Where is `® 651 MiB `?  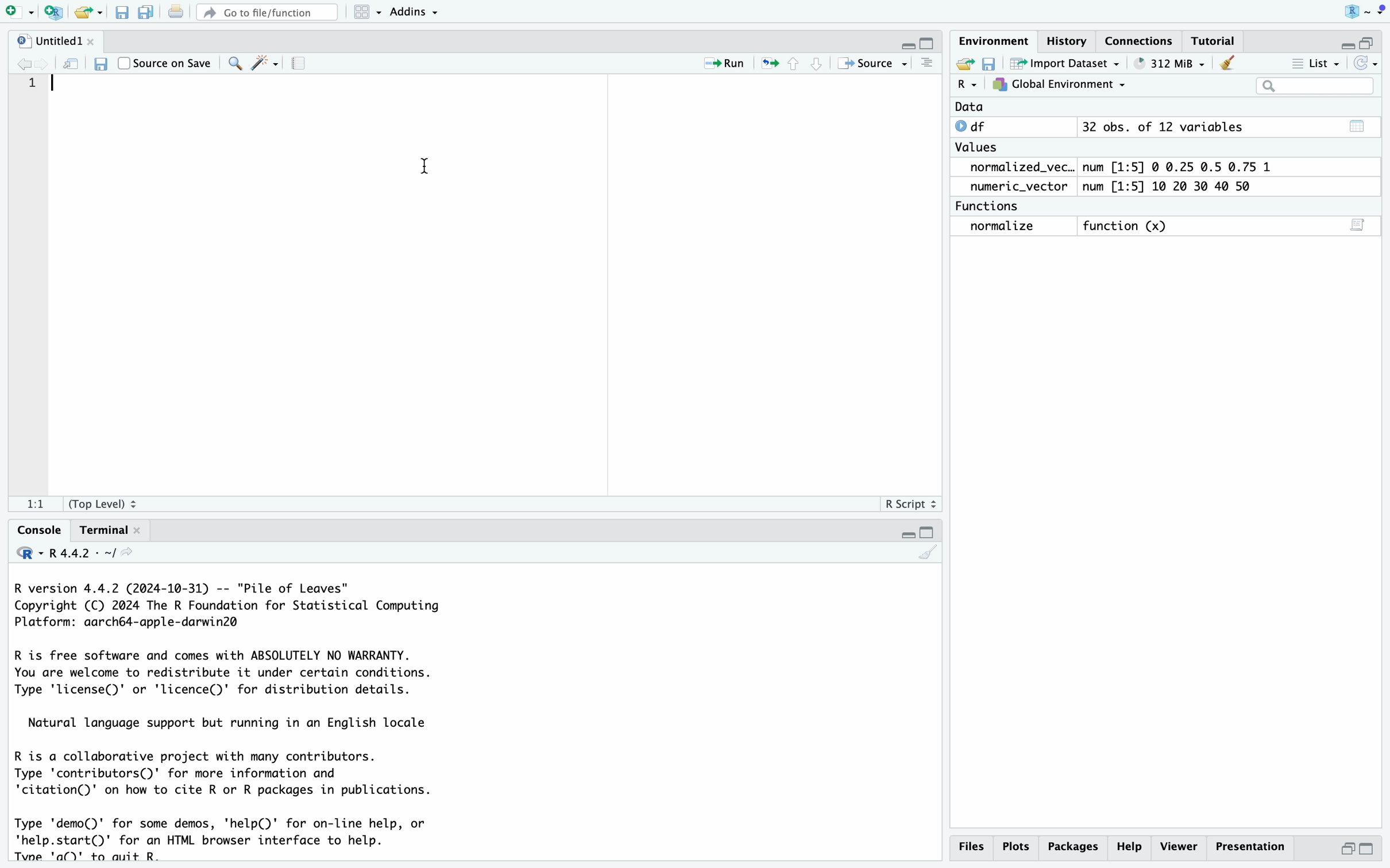 ® 651 MiB  is located at coordinates (1167, 61).